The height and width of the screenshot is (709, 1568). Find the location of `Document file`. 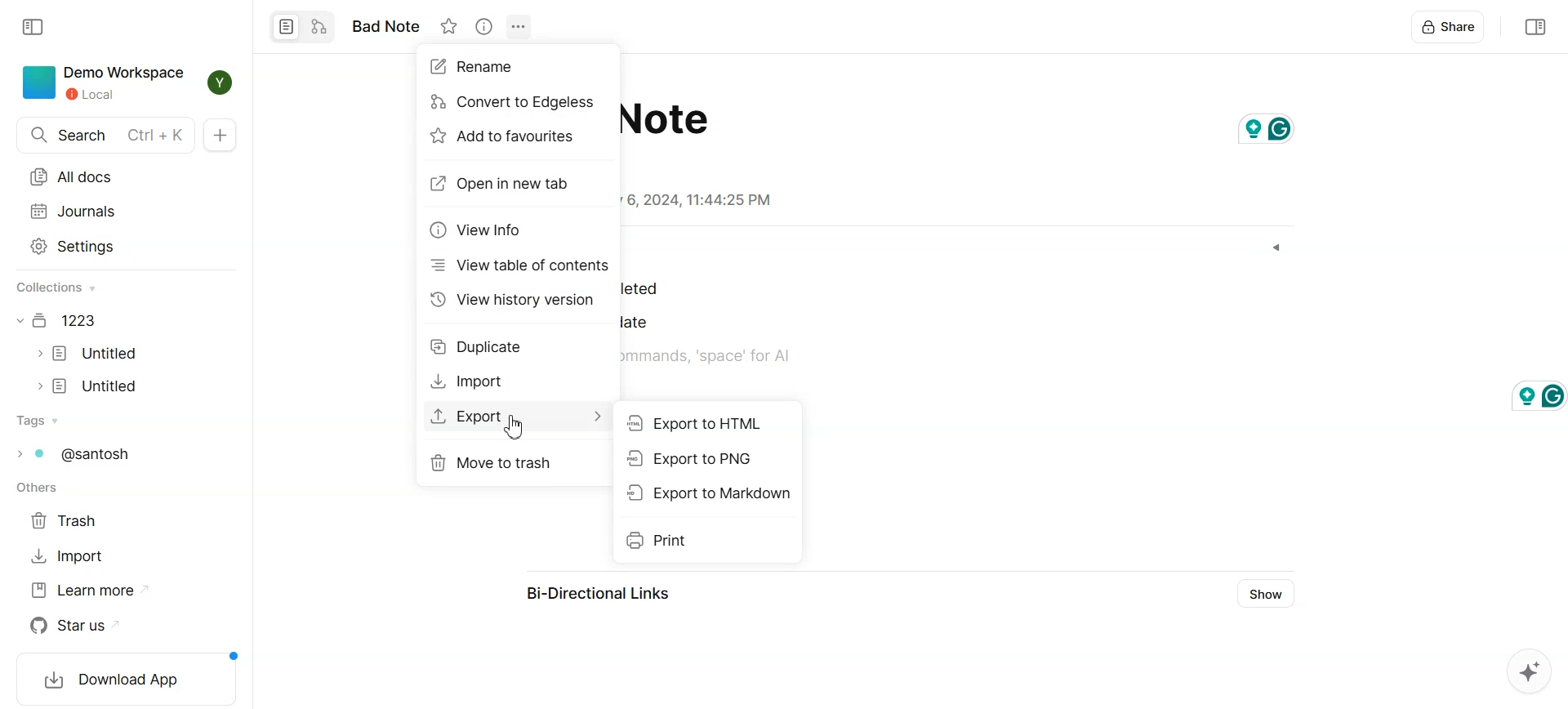

Document file is located at coordinates (88, 354).